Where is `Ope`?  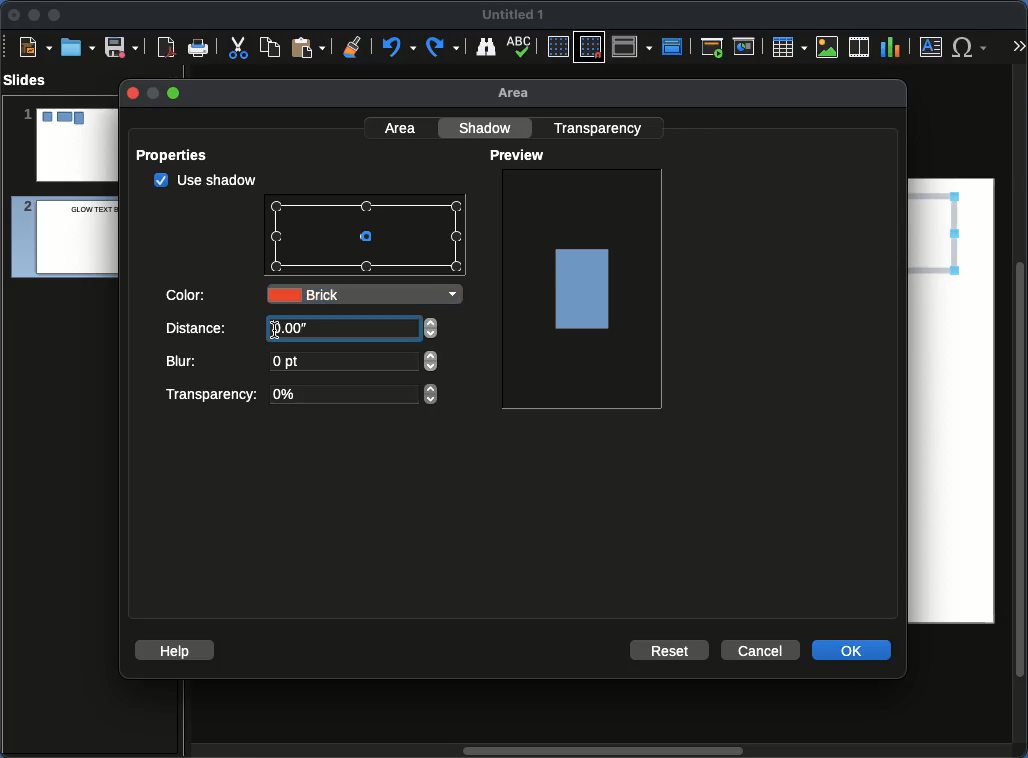 Ope is located at coordinates (78, 46).